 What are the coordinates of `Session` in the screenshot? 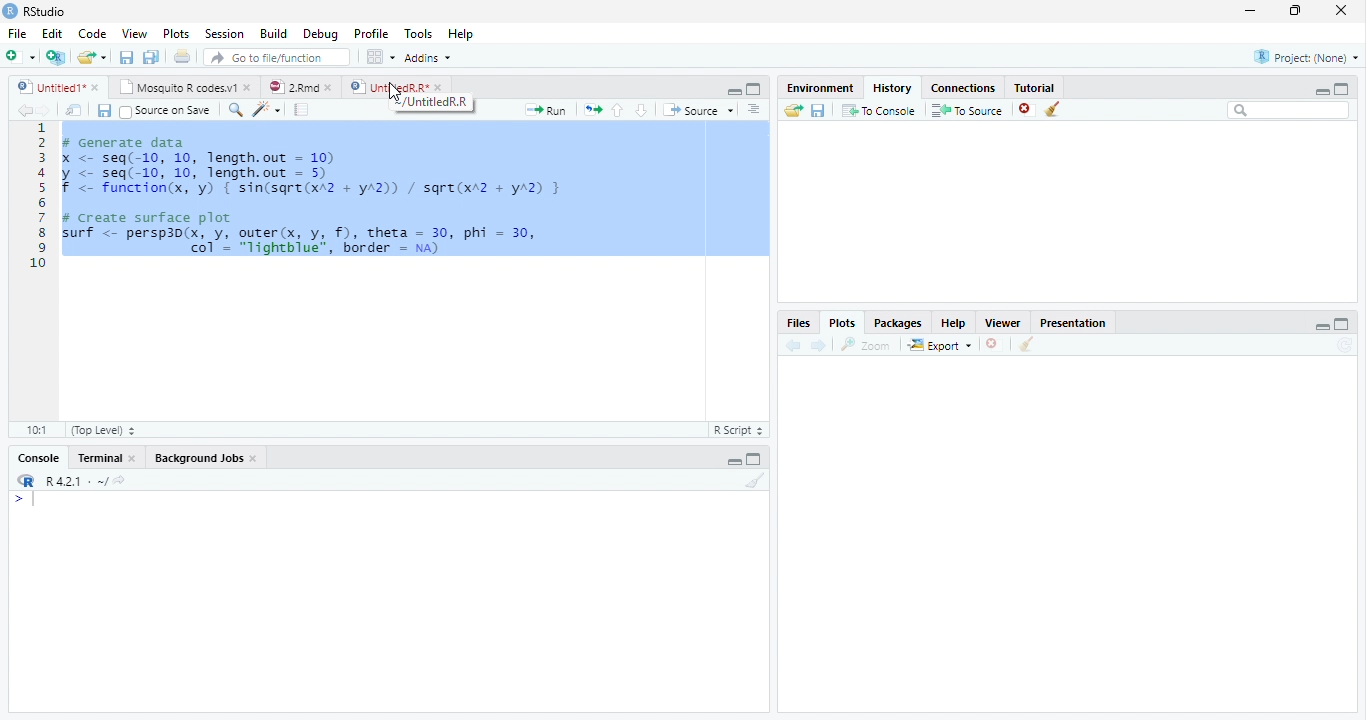 It's located at (223, 34).